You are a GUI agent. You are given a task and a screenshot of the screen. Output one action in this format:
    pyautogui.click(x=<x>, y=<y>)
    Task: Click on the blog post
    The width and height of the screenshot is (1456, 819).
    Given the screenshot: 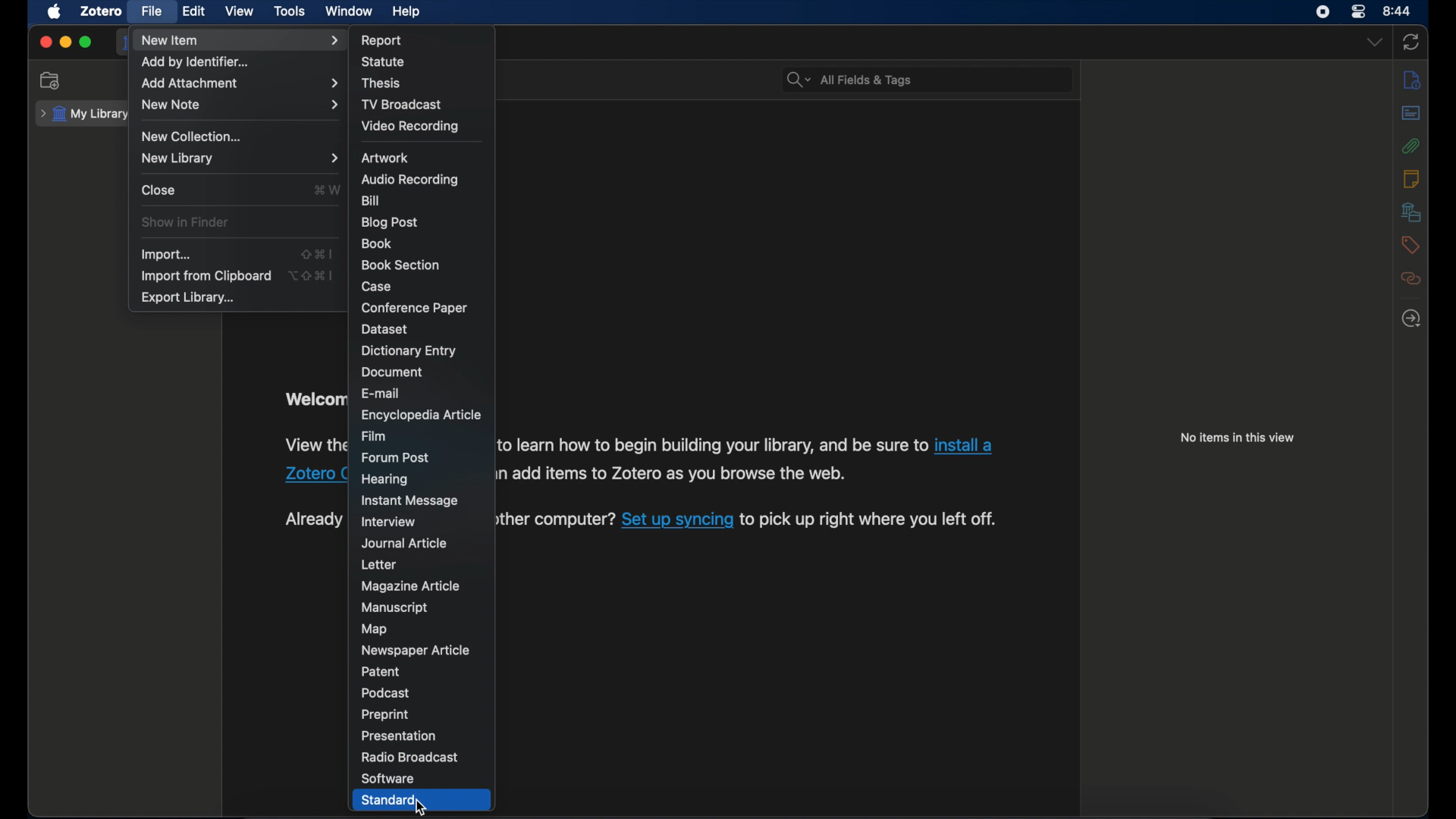 What is the action you would take?
    pyautogui.click(x=391, y=222)
    